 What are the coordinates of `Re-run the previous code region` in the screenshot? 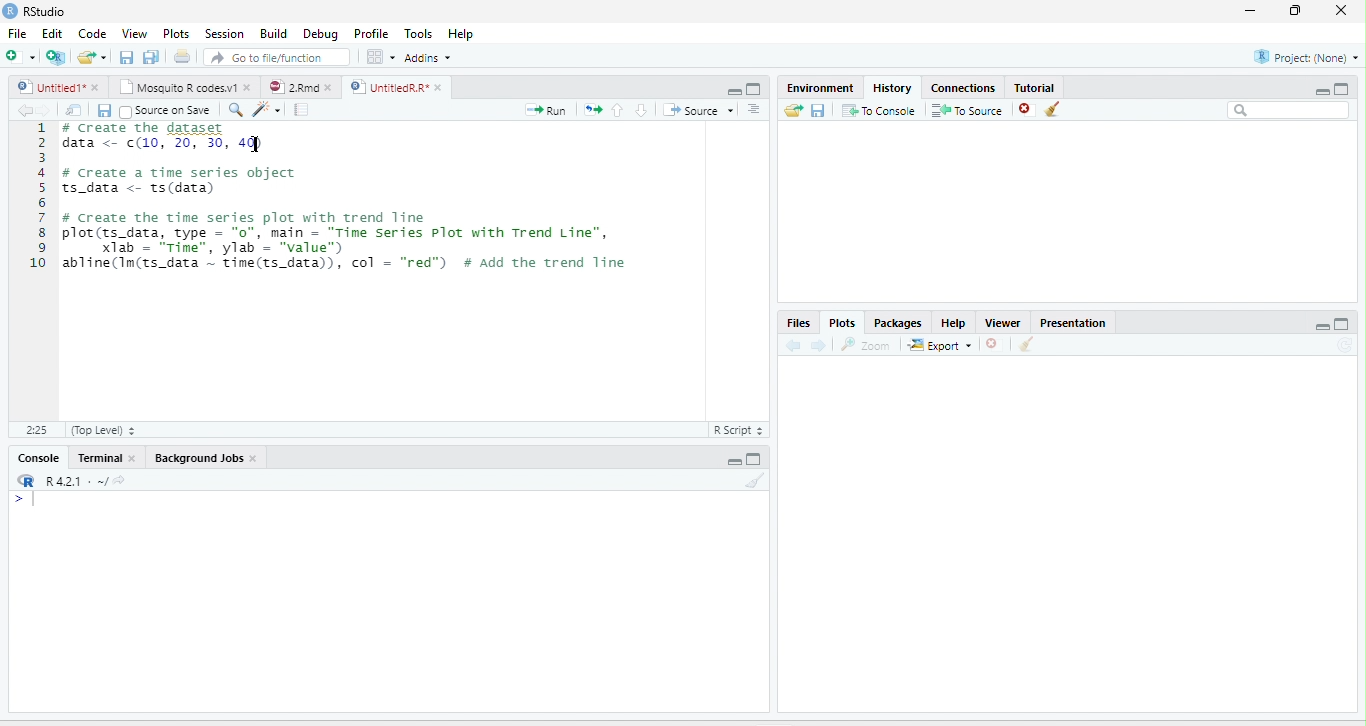 It's located at (592, 110).